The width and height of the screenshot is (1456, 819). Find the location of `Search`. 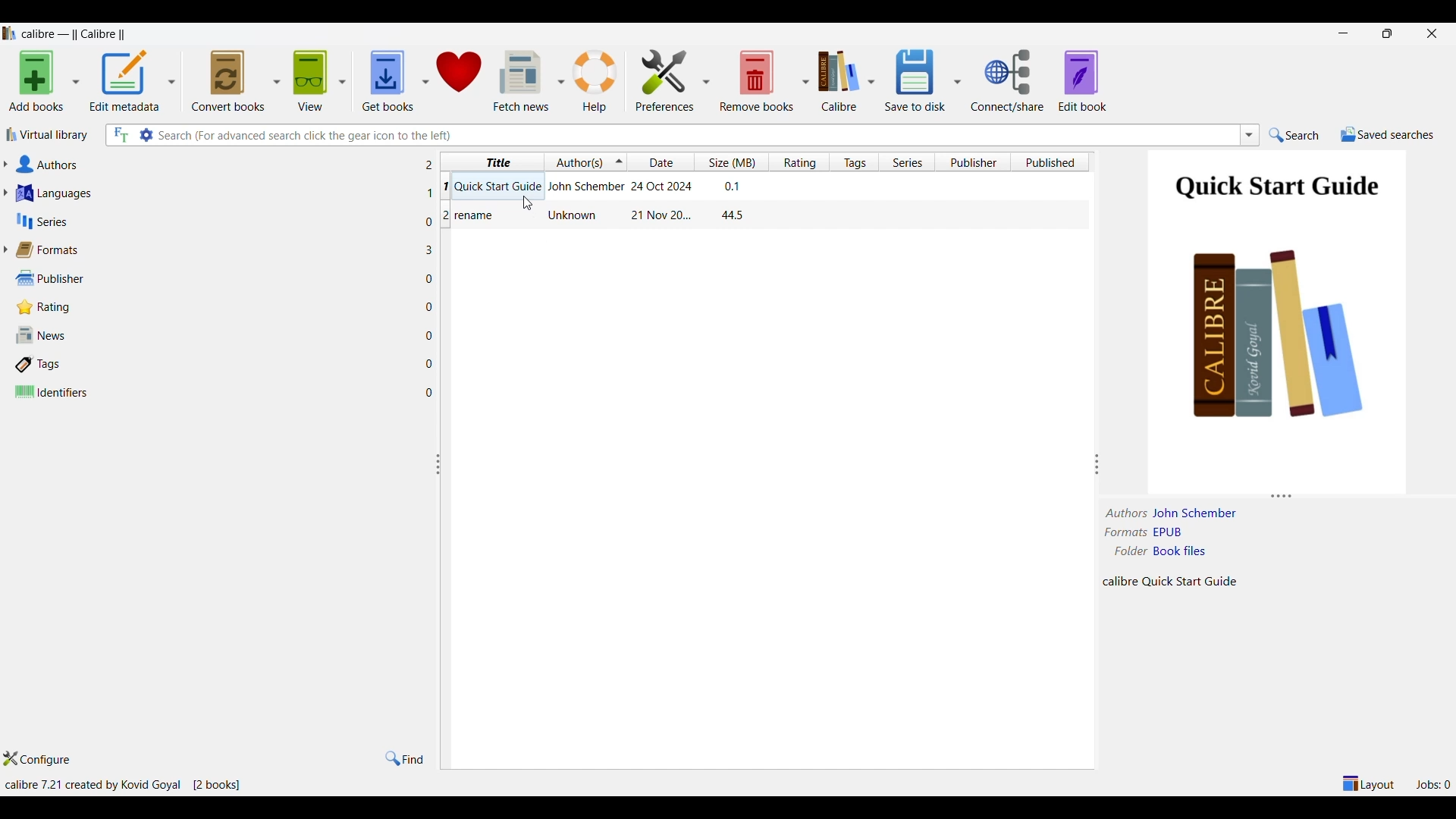

Search is located at coordinates (1294, 136).